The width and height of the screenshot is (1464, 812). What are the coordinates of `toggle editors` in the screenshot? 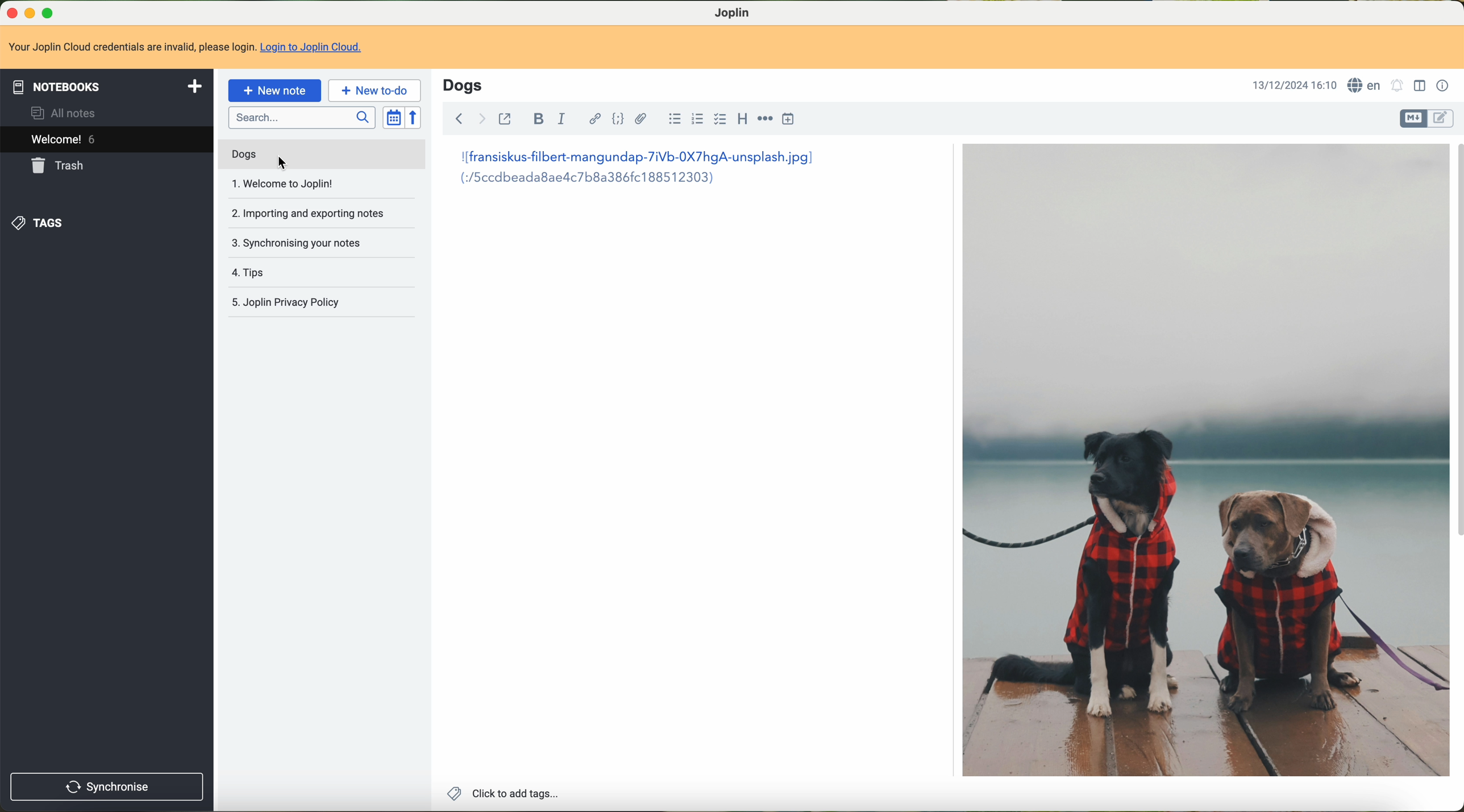 It's located at (1442, 118).